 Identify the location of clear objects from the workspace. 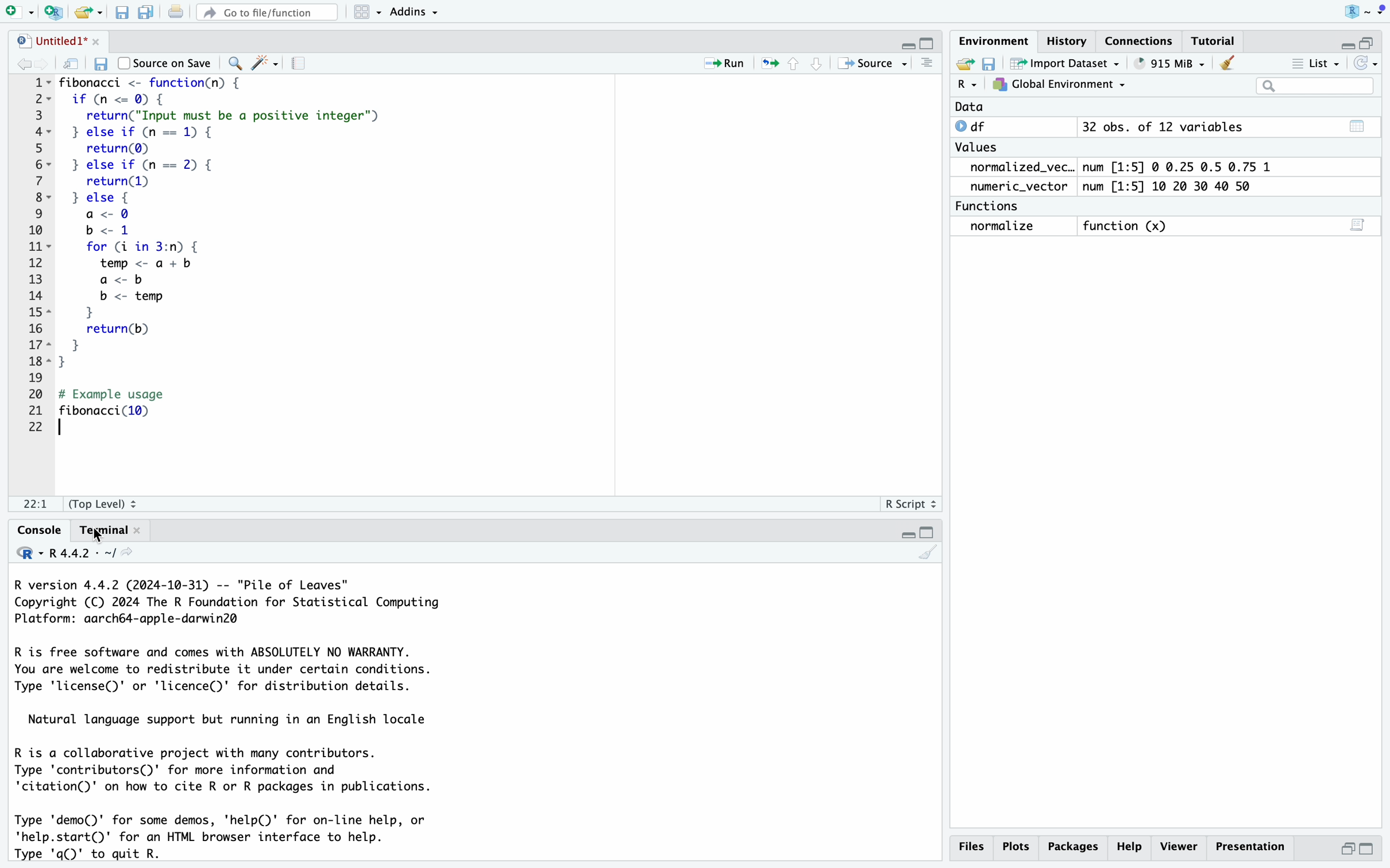
(1228, 63).